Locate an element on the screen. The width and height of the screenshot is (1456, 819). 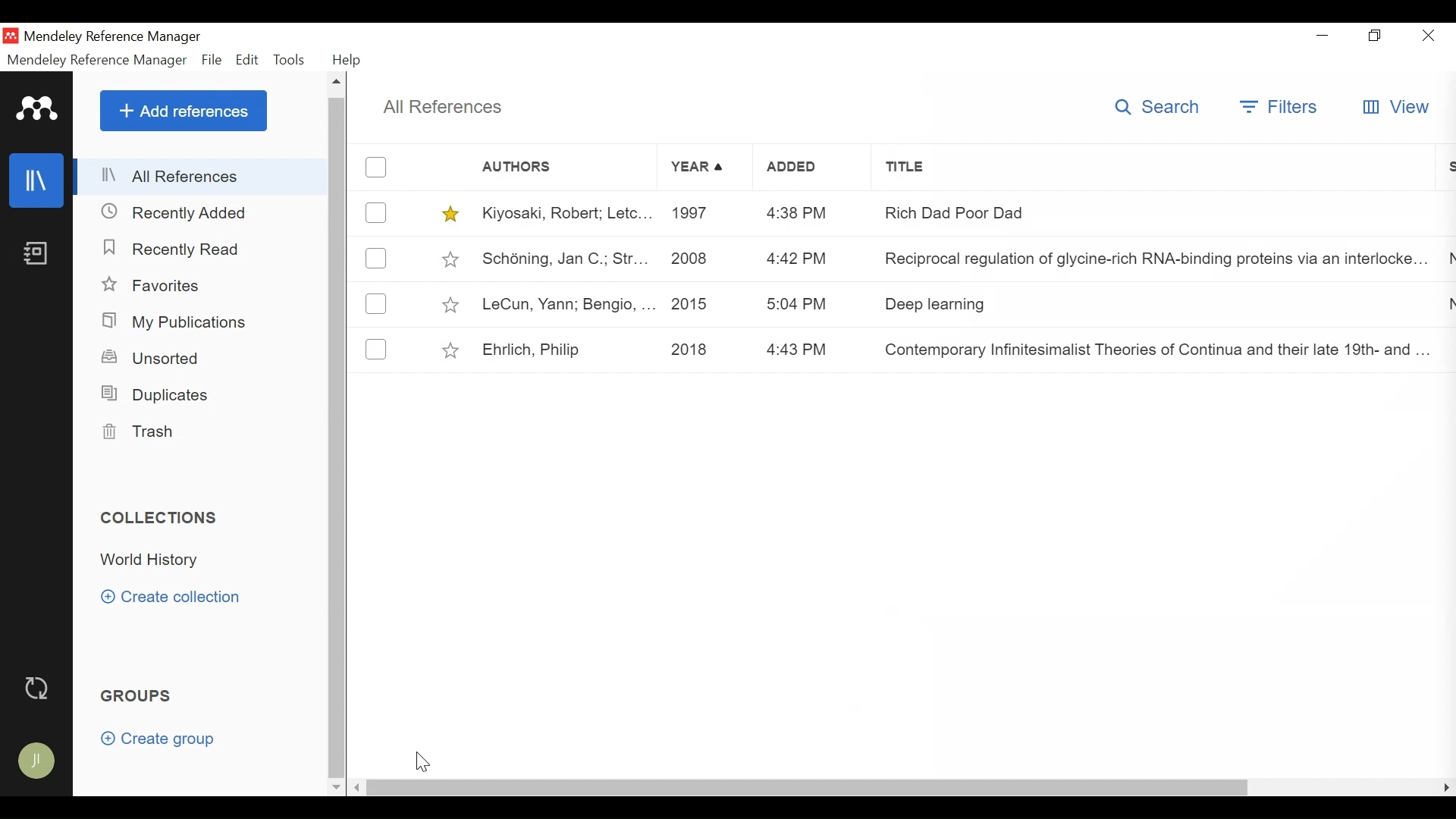
Scroll down is located at coordinates (334, 789).